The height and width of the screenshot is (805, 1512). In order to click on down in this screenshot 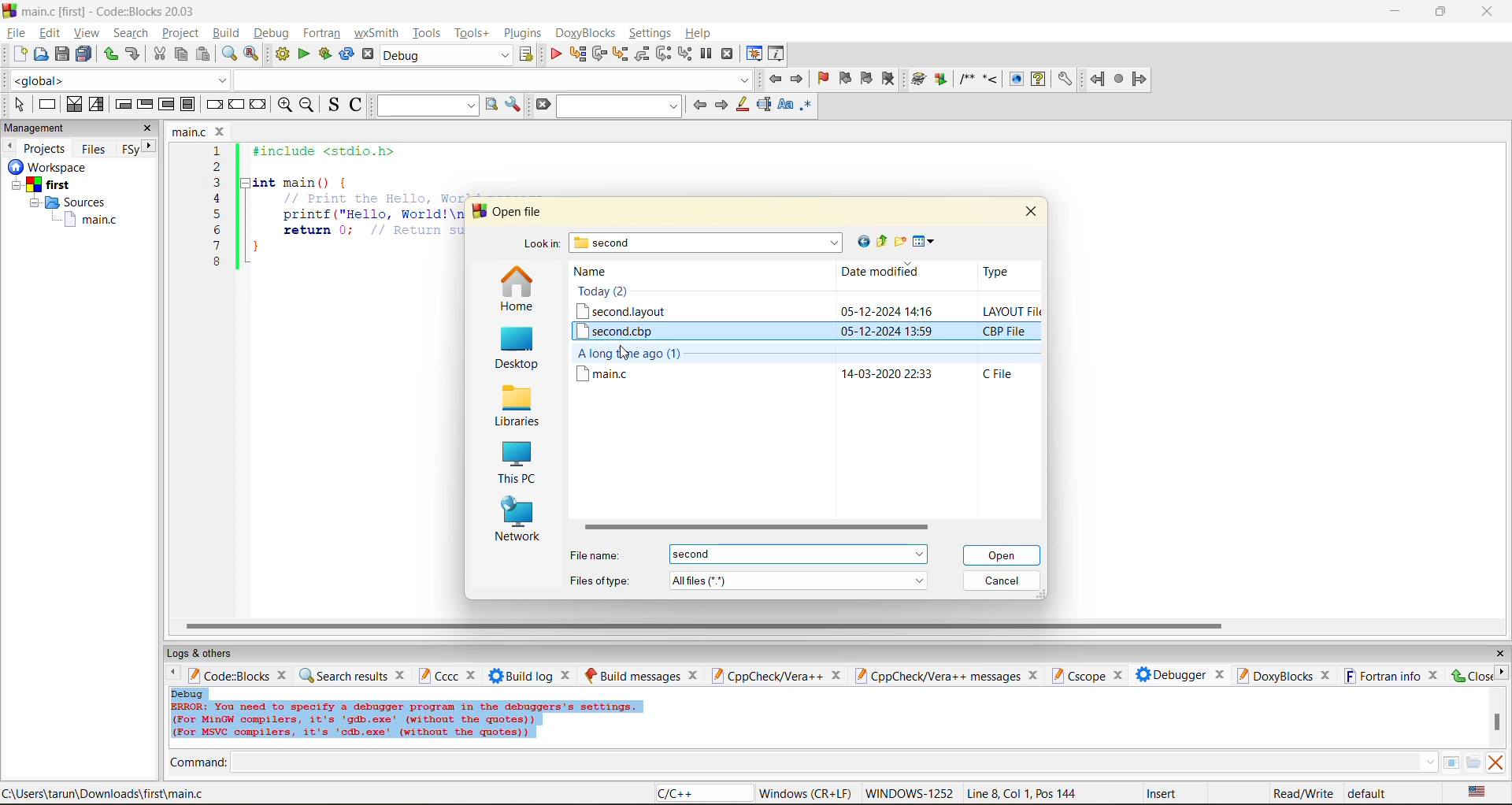, I will do `click(1429, 762)`.